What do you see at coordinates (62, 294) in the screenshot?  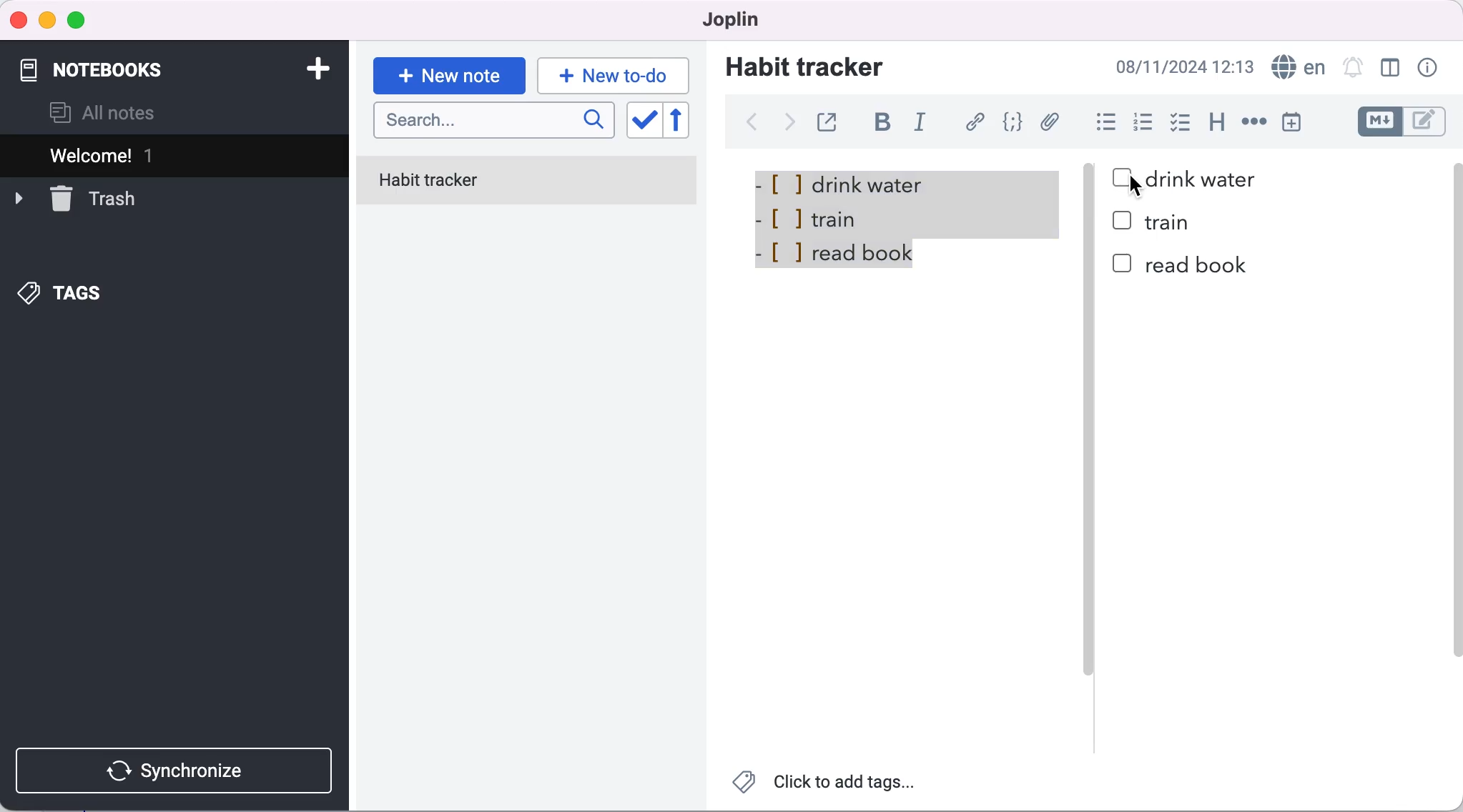 I see `tags` at bounding box center [62, 294].